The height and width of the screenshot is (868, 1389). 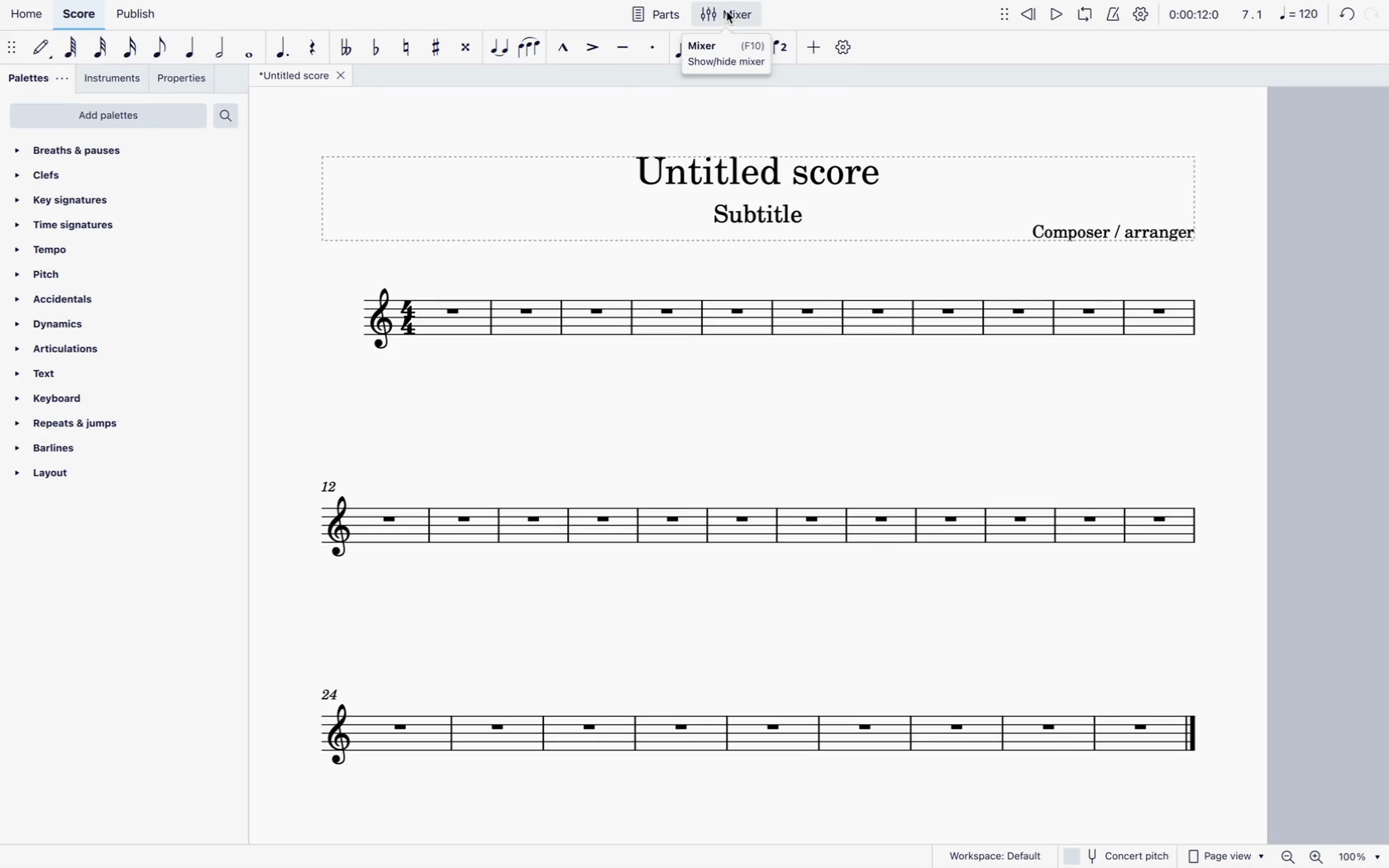 I want to click on 64th note, so click(x=71, y=50).